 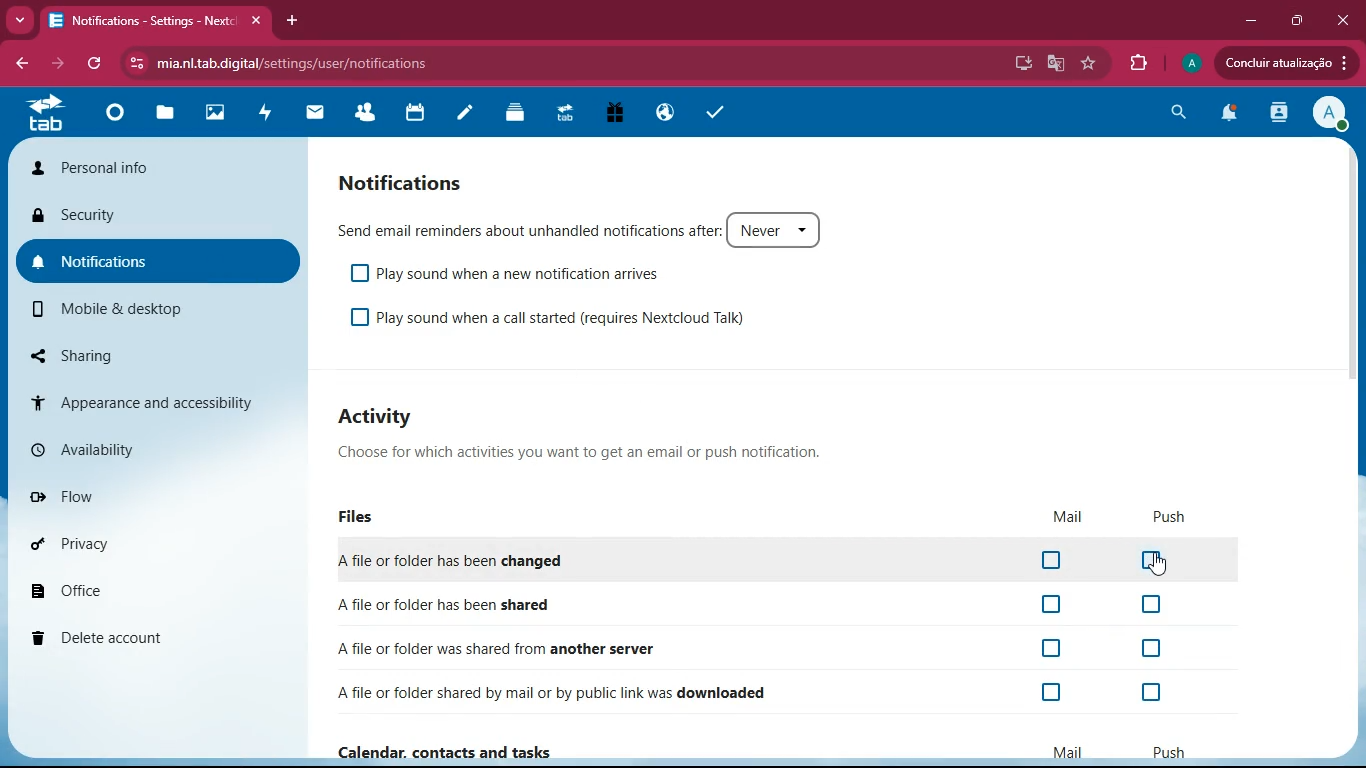 What do you see at coordinates (129, 354) in the screenshot?
I see `sharing` at bounding box center [129, 354].